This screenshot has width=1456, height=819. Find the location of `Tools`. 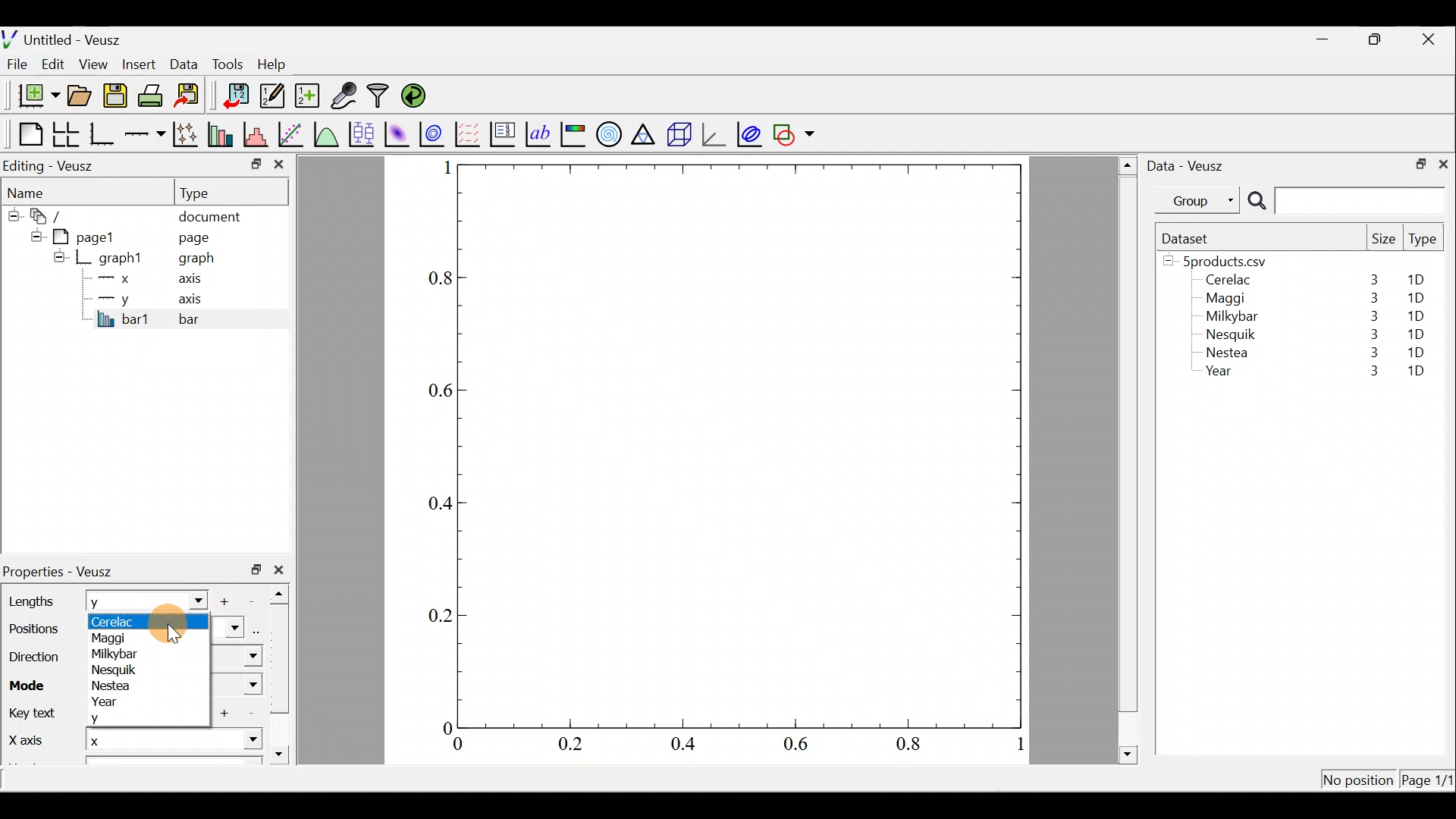

Tools is located at coordinates (227, 63).